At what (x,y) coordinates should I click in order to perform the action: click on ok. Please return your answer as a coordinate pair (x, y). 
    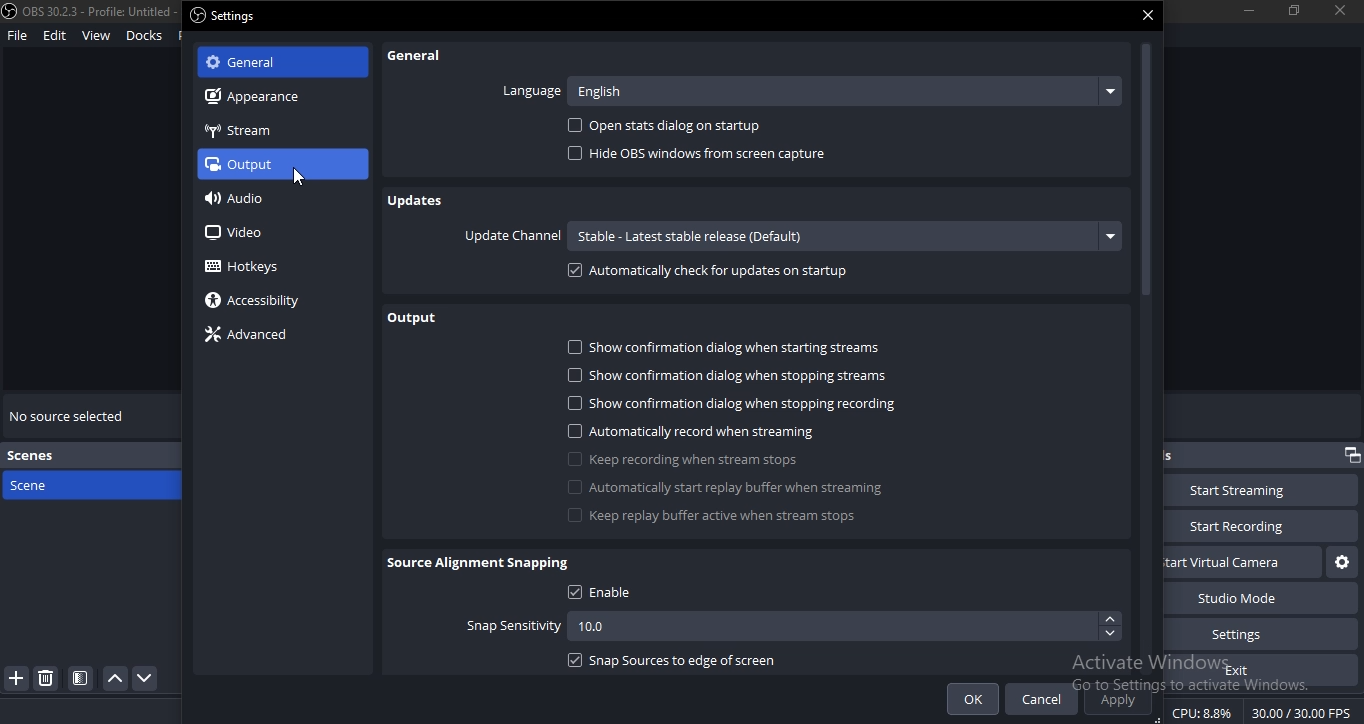
    Looking at the image, I should click on (973, 699).